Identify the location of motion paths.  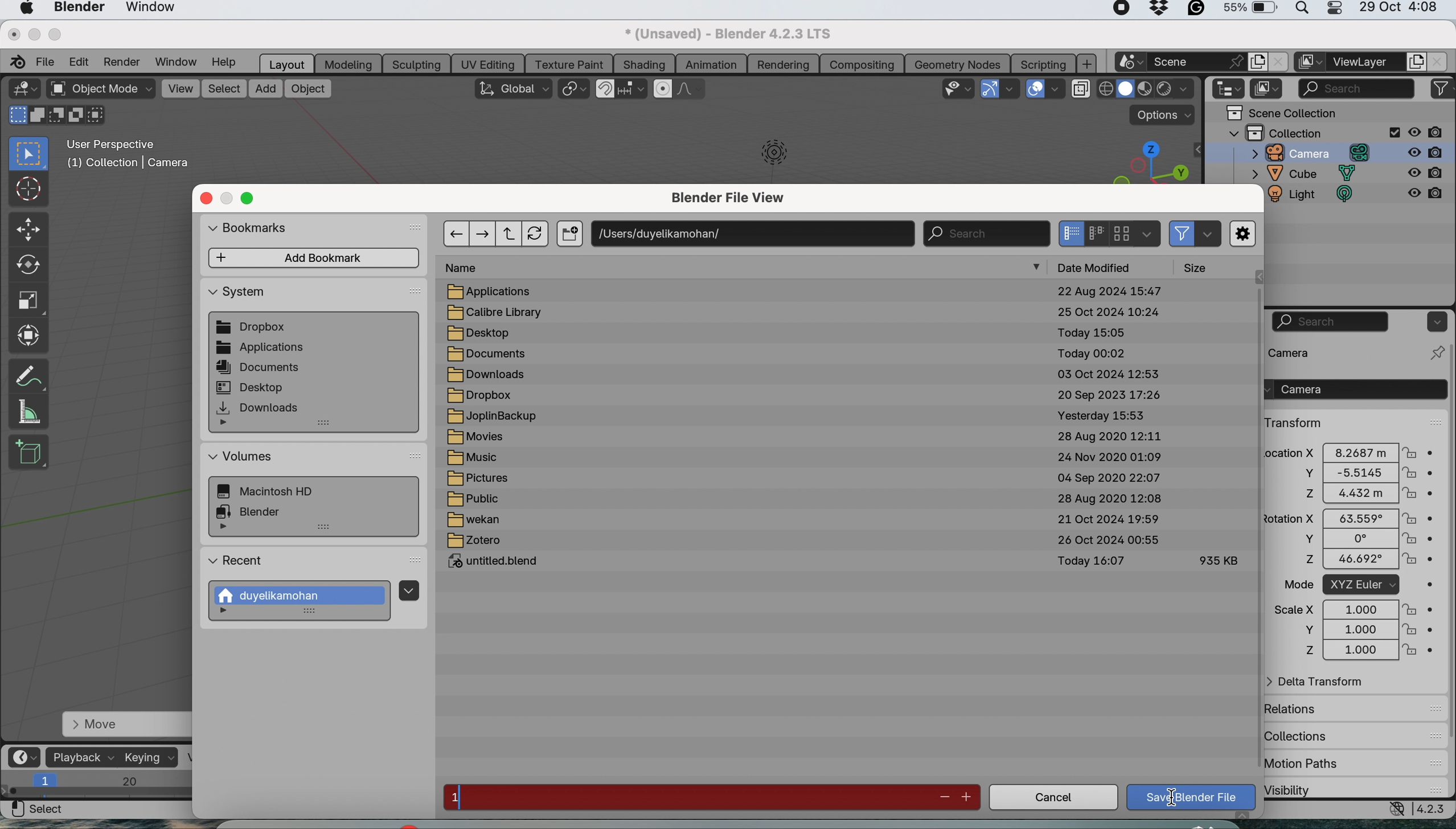
(1324, 764).